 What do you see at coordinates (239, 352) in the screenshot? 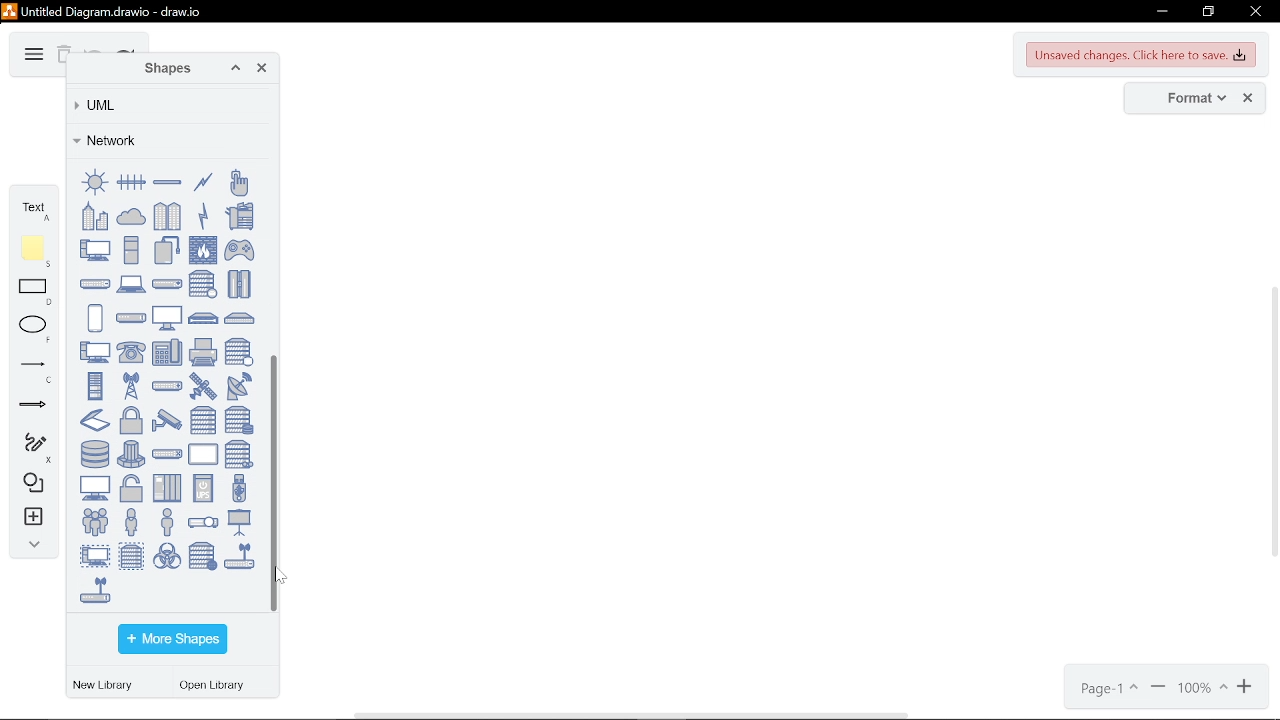
I see `proxy server` at bounding box center [239, 352].